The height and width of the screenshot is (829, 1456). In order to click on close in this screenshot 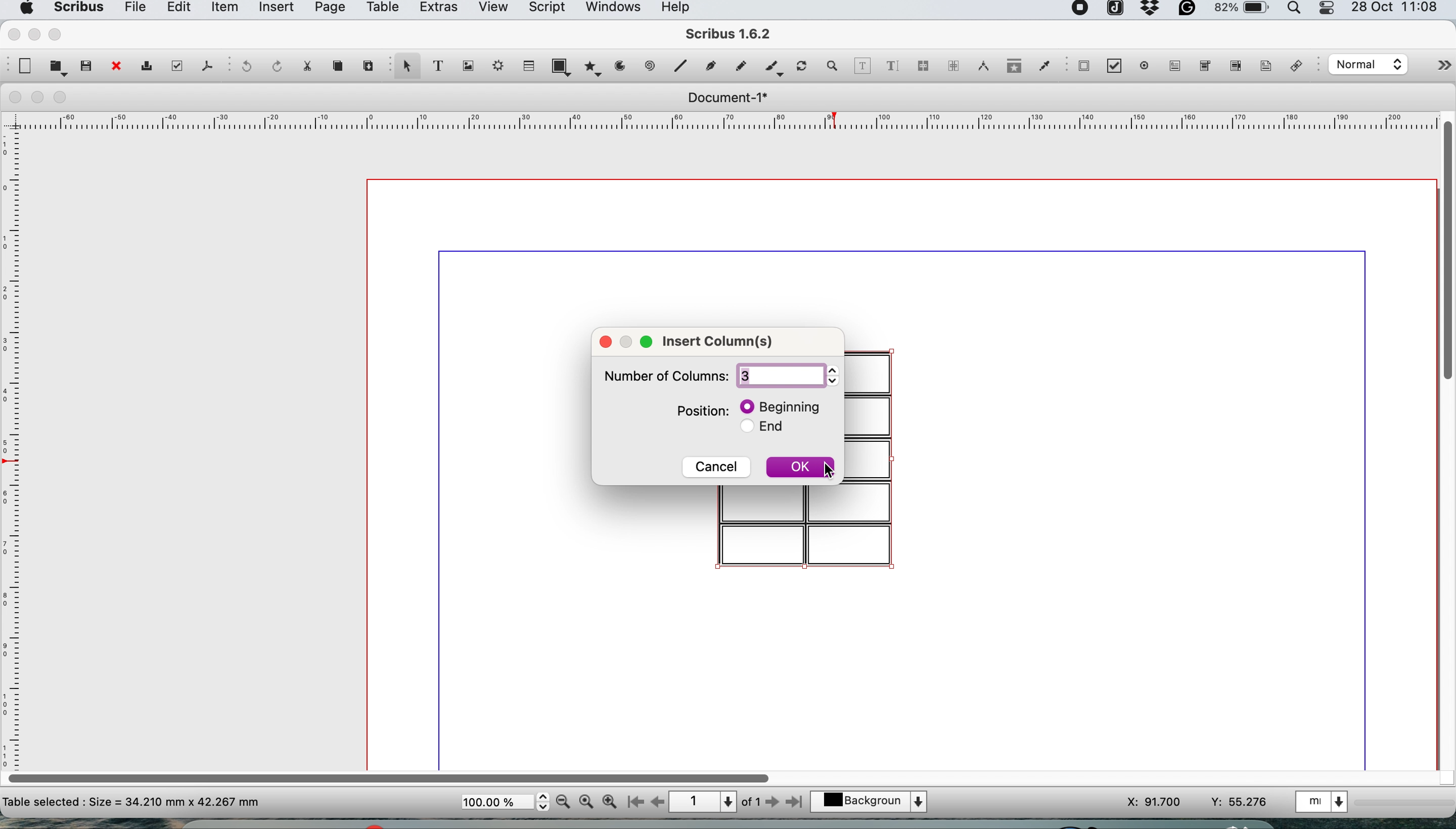, I will do `click(115, 67)`.